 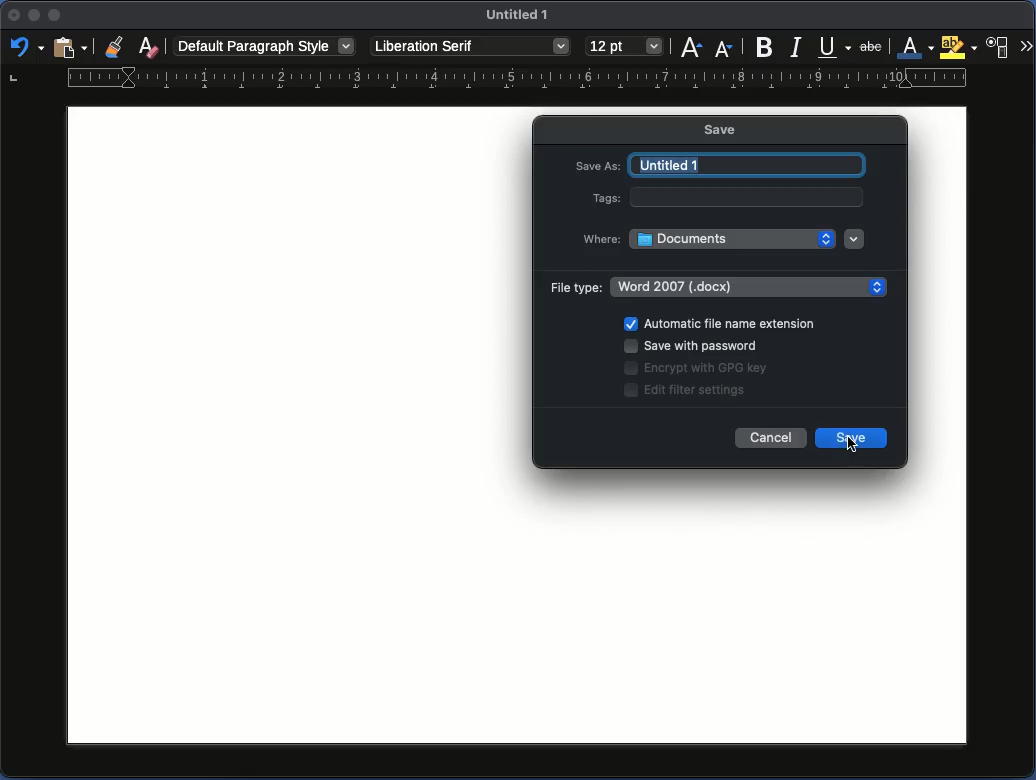 I want to click on Font color, so click(x=916, y=48).